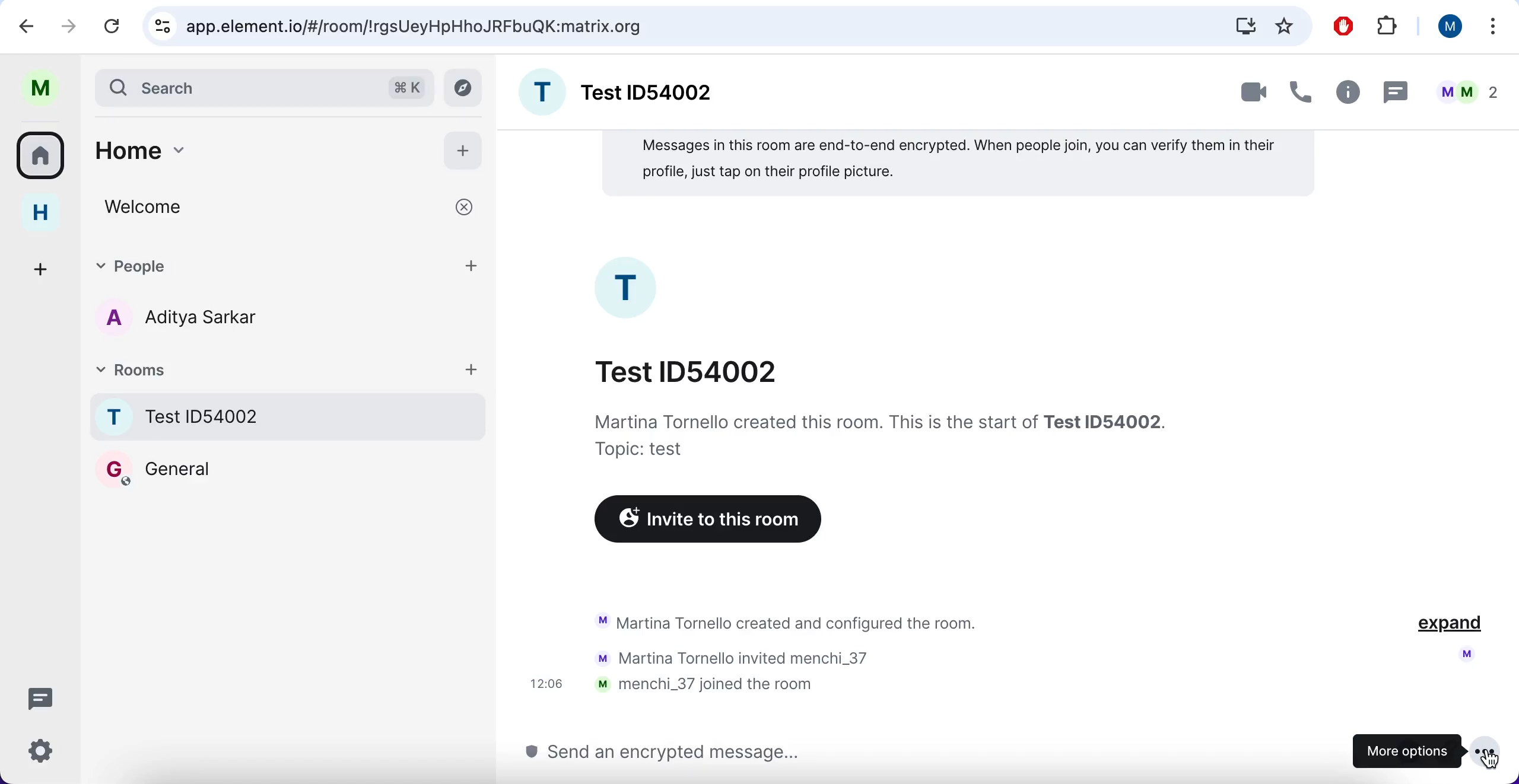 The height and width of the screenshot is (784, 1519). Describe the element at coordinates (924, 755) in the screenshot. I see `send message` at that location.